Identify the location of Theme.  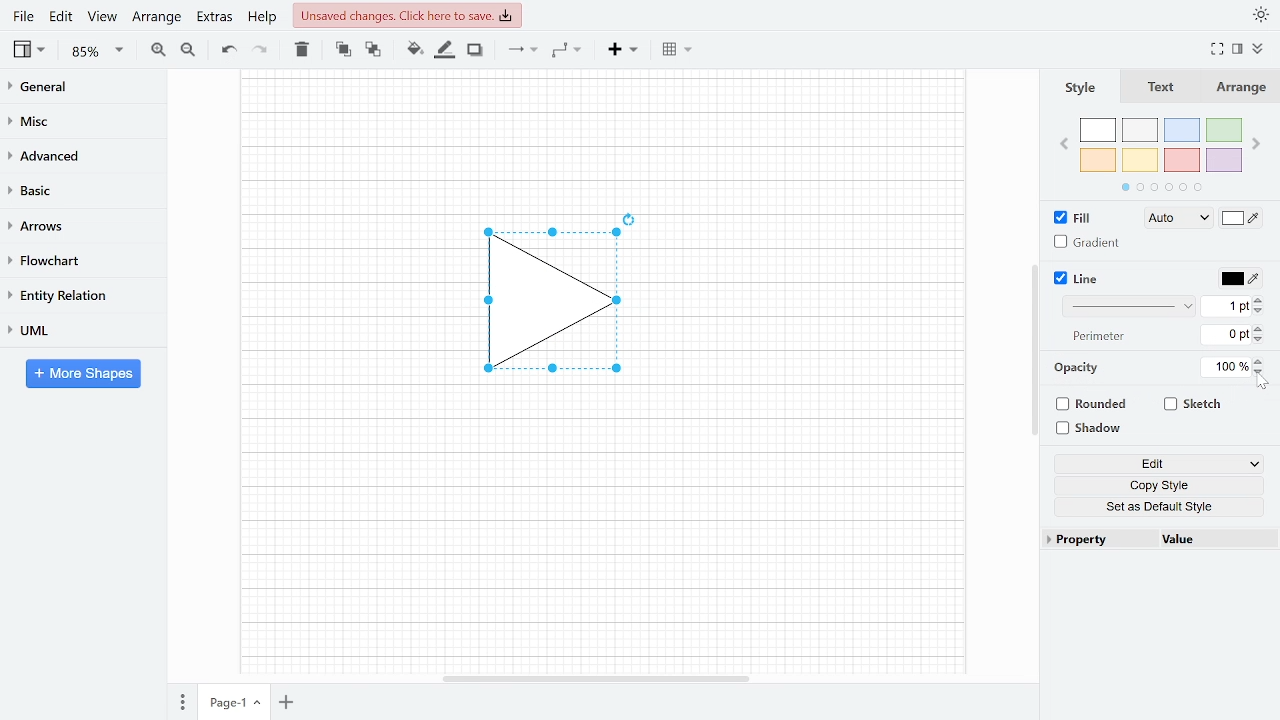
(1262, 14).